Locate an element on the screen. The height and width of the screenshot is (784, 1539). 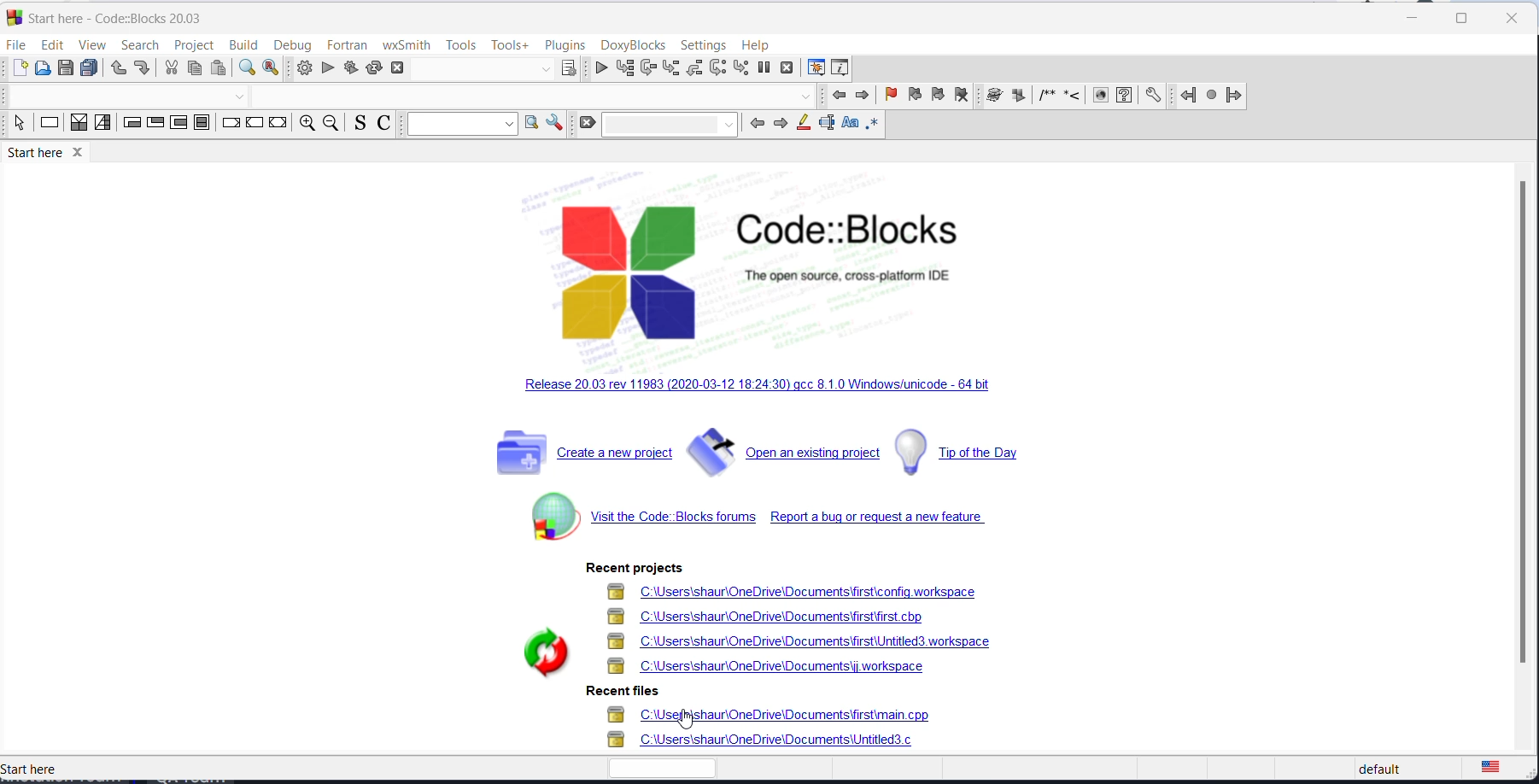
STEP IN is located at coordinates (670, 68).